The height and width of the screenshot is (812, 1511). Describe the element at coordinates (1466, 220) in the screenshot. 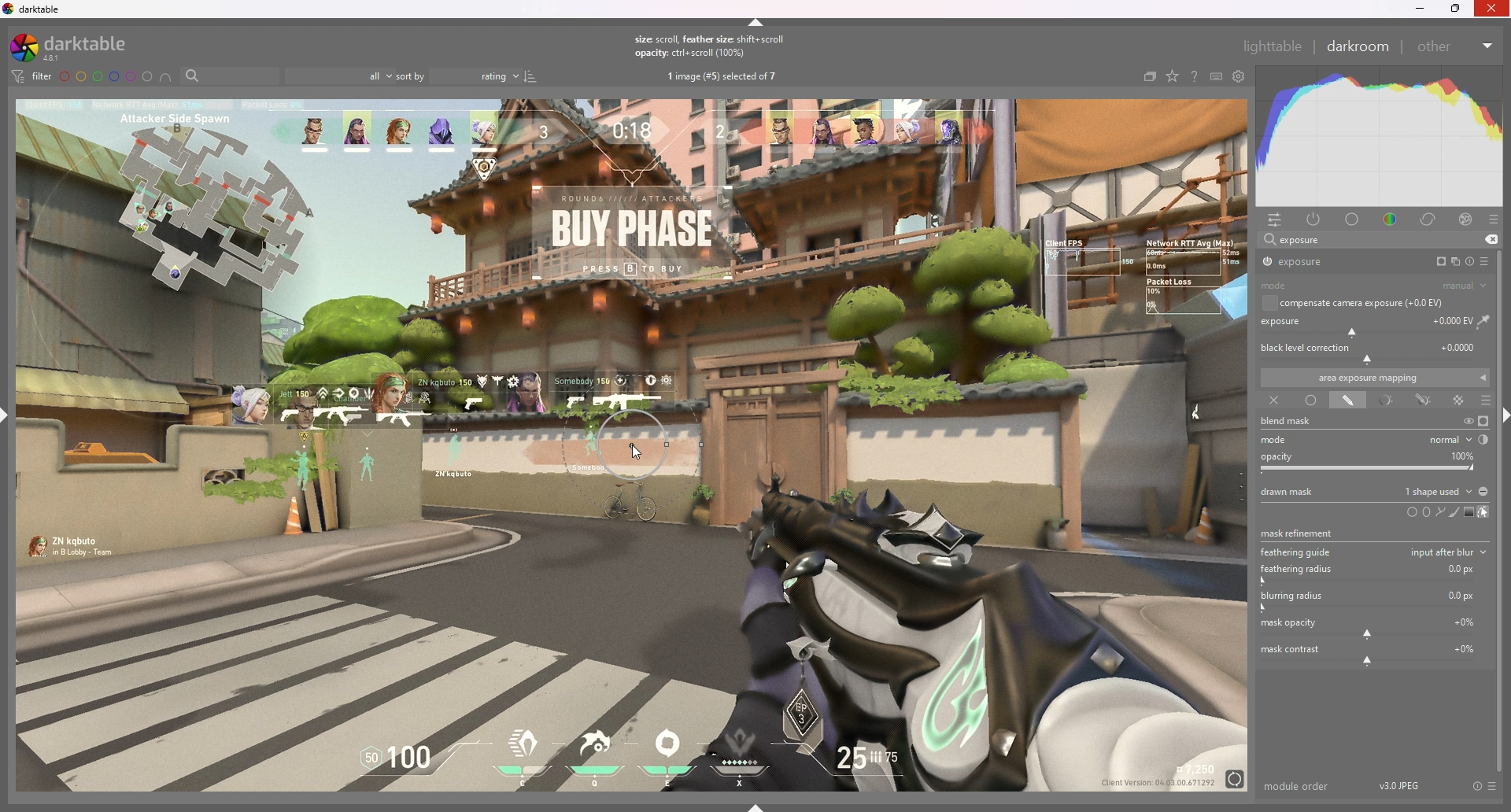

I see `effect` at that location.